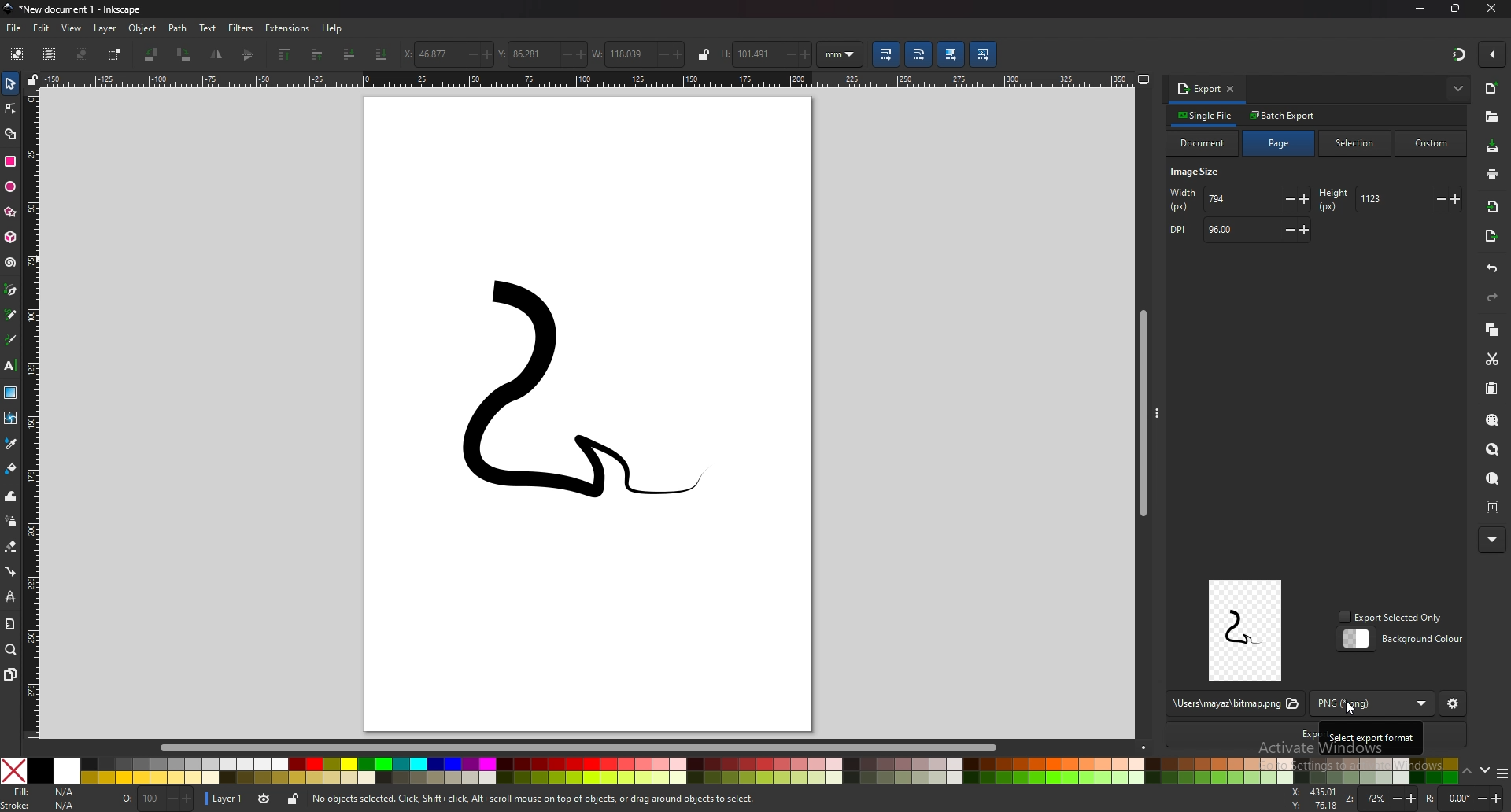  What do you see at coordinates (1493, 147) in the screenshot?
I see `save` at bounding box center [1493, 147].